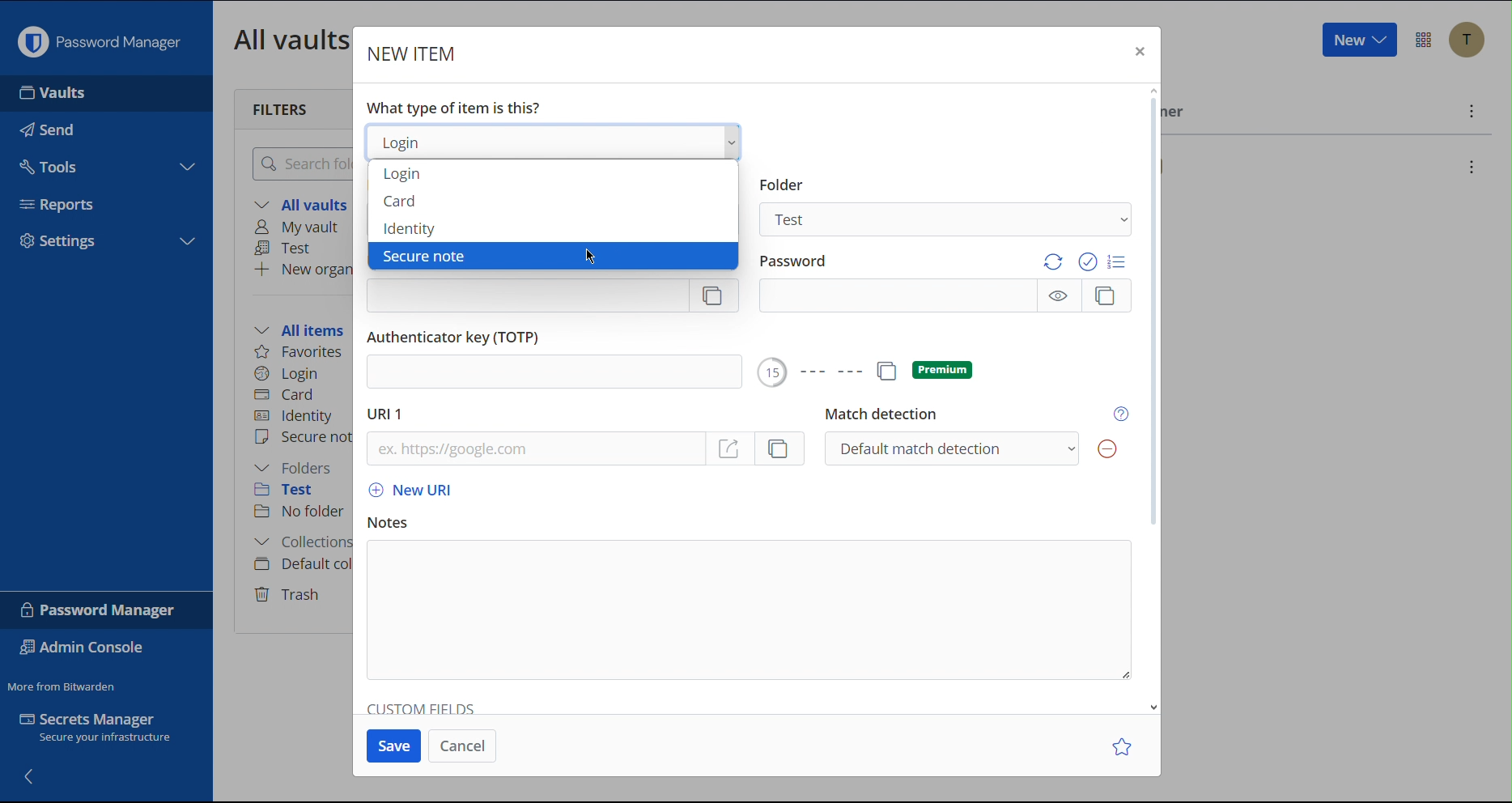 The image size is (1512, 803). Describe the element at coordinates (800, 261) in the screenshot. I see `Password` at that location.